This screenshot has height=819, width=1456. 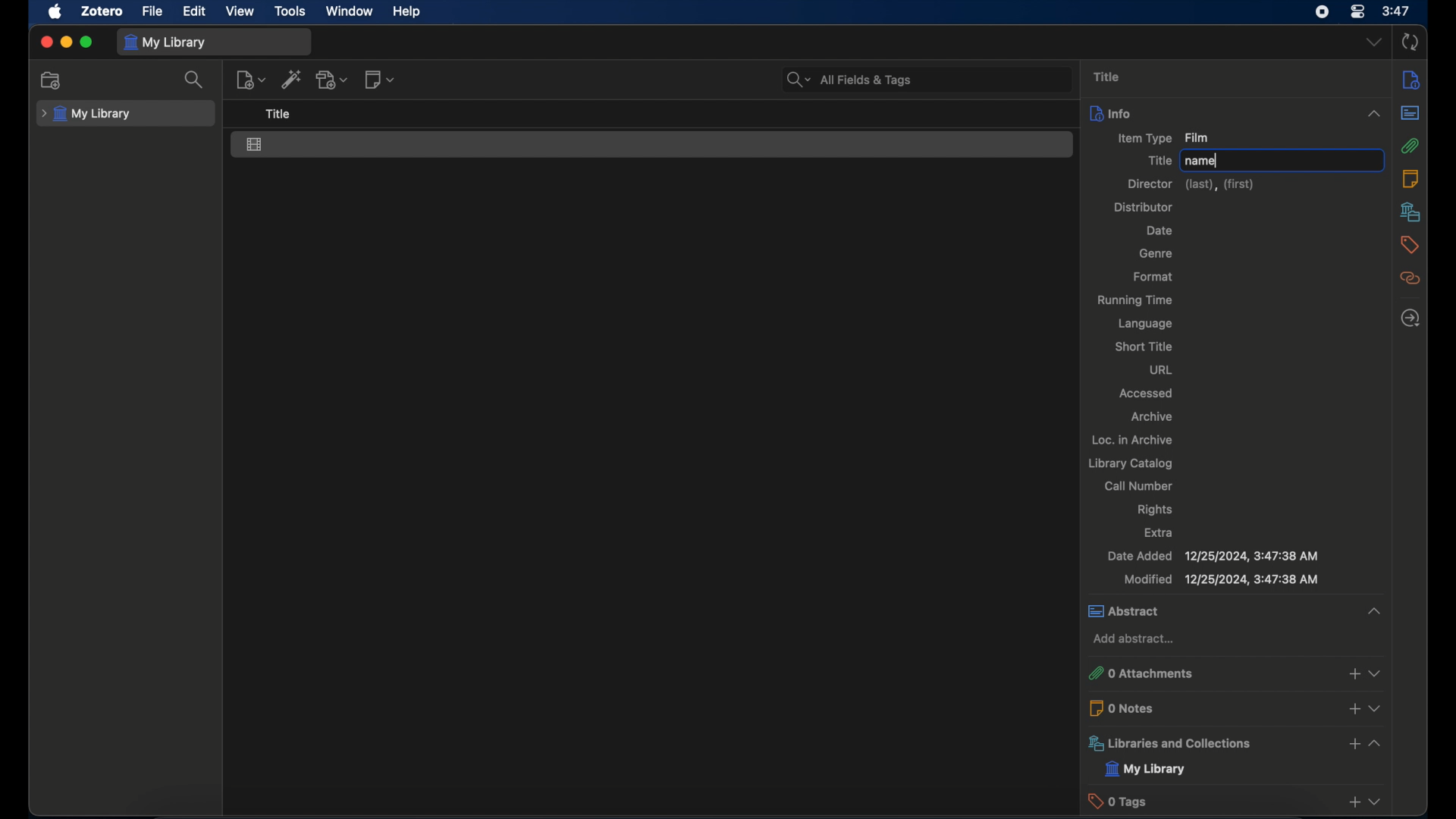 What do you see at coordinates (55, 12) in the screenshot?
I see `apple` at bounding box center [55, 12].